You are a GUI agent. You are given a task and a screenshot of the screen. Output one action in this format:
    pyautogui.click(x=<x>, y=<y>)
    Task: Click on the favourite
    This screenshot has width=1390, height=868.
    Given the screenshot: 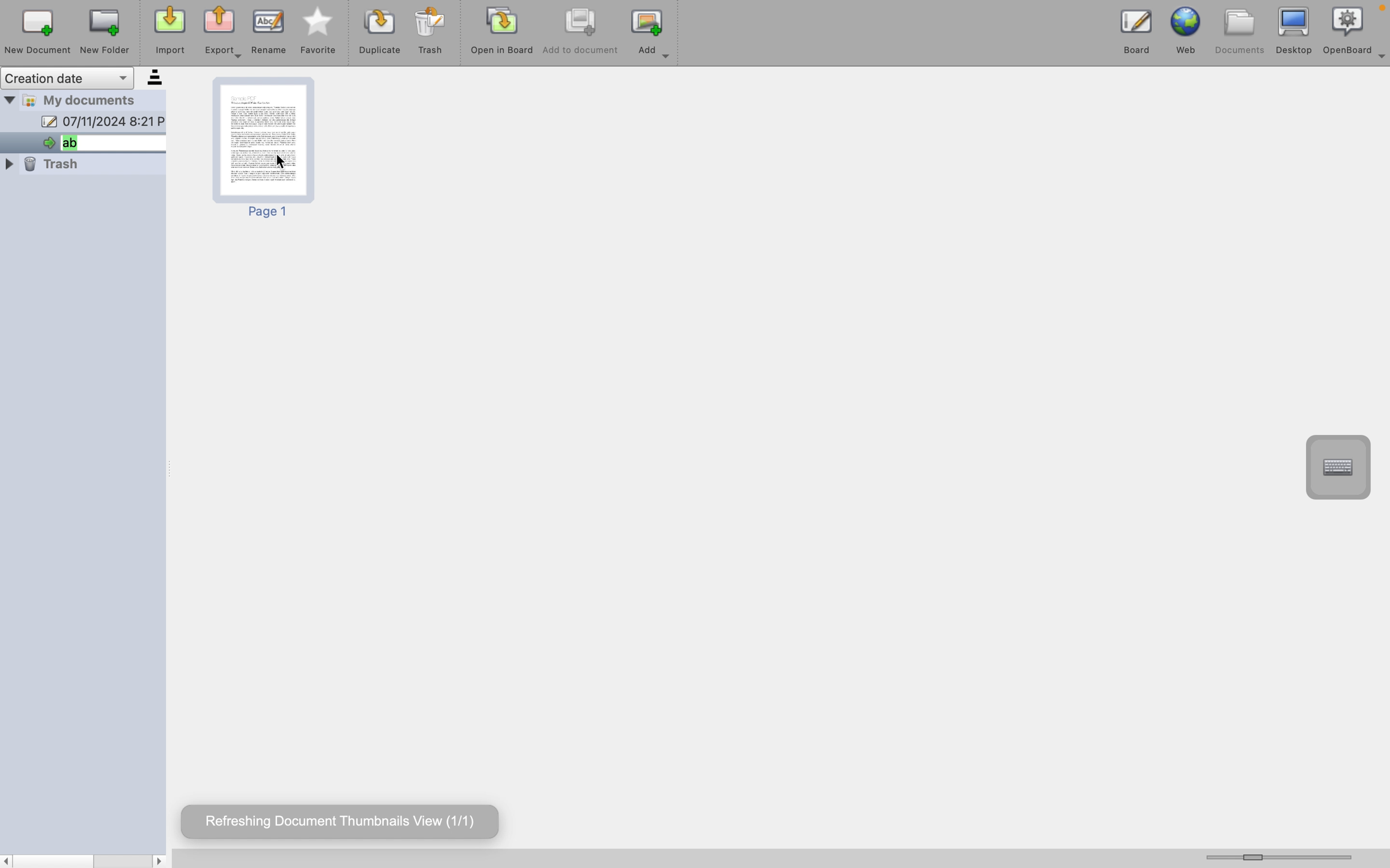 What is the action you would take?
    pyautogui.click(x=319, y=33)
    